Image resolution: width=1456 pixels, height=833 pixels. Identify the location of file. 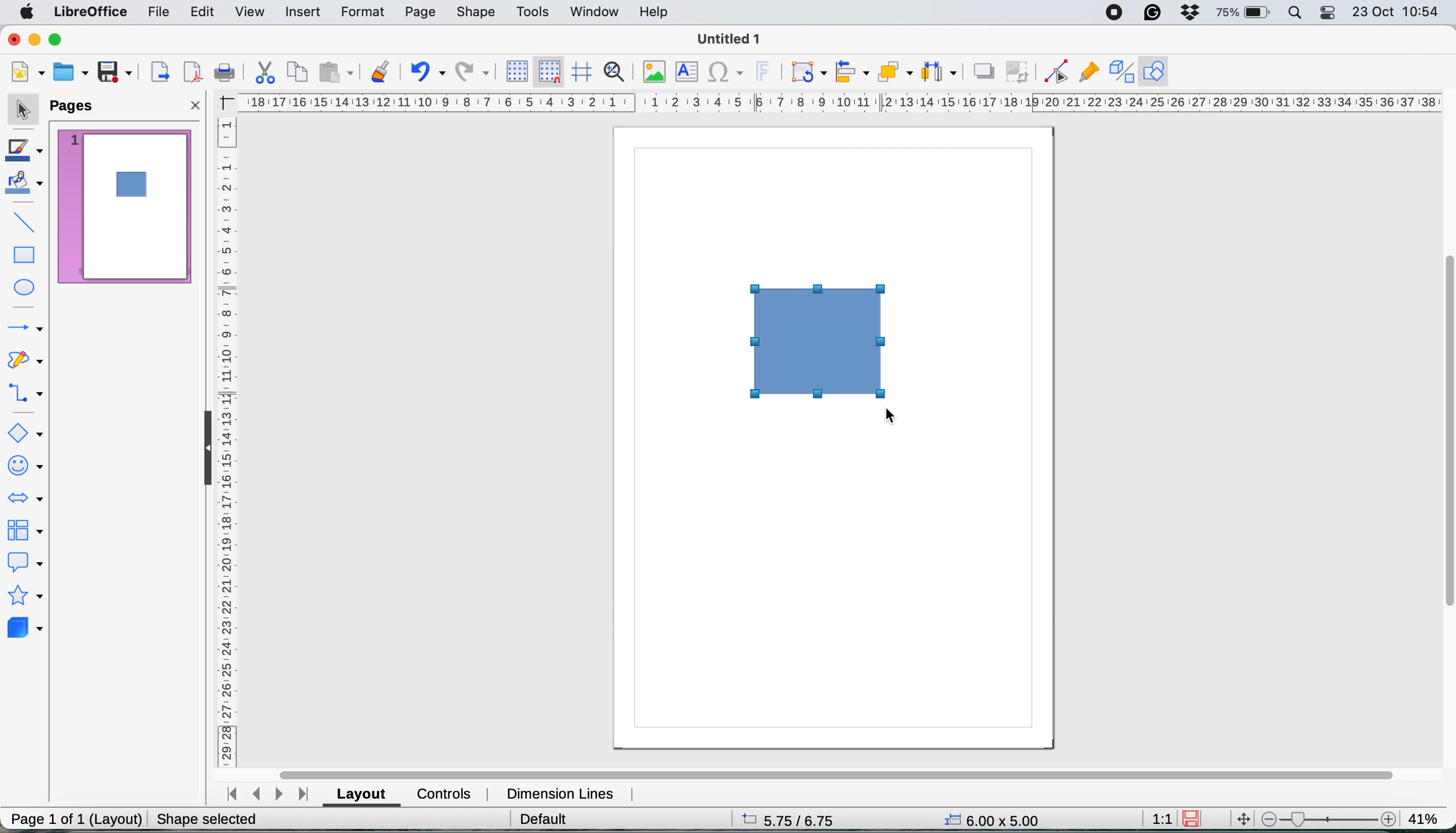
(156, 13).